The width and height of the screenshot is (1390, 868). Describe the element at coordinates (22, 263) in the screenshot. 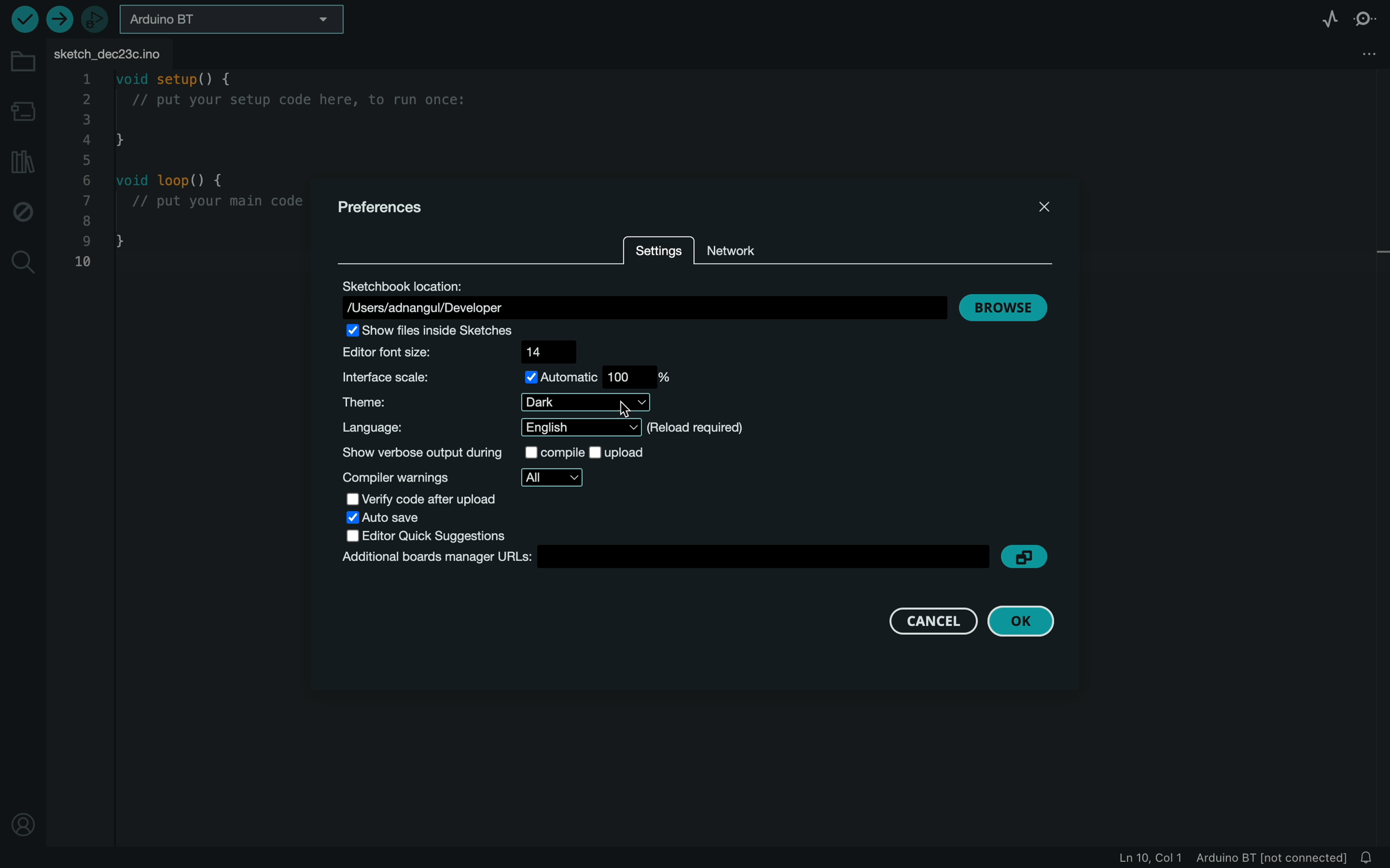

I see `search` at that location.